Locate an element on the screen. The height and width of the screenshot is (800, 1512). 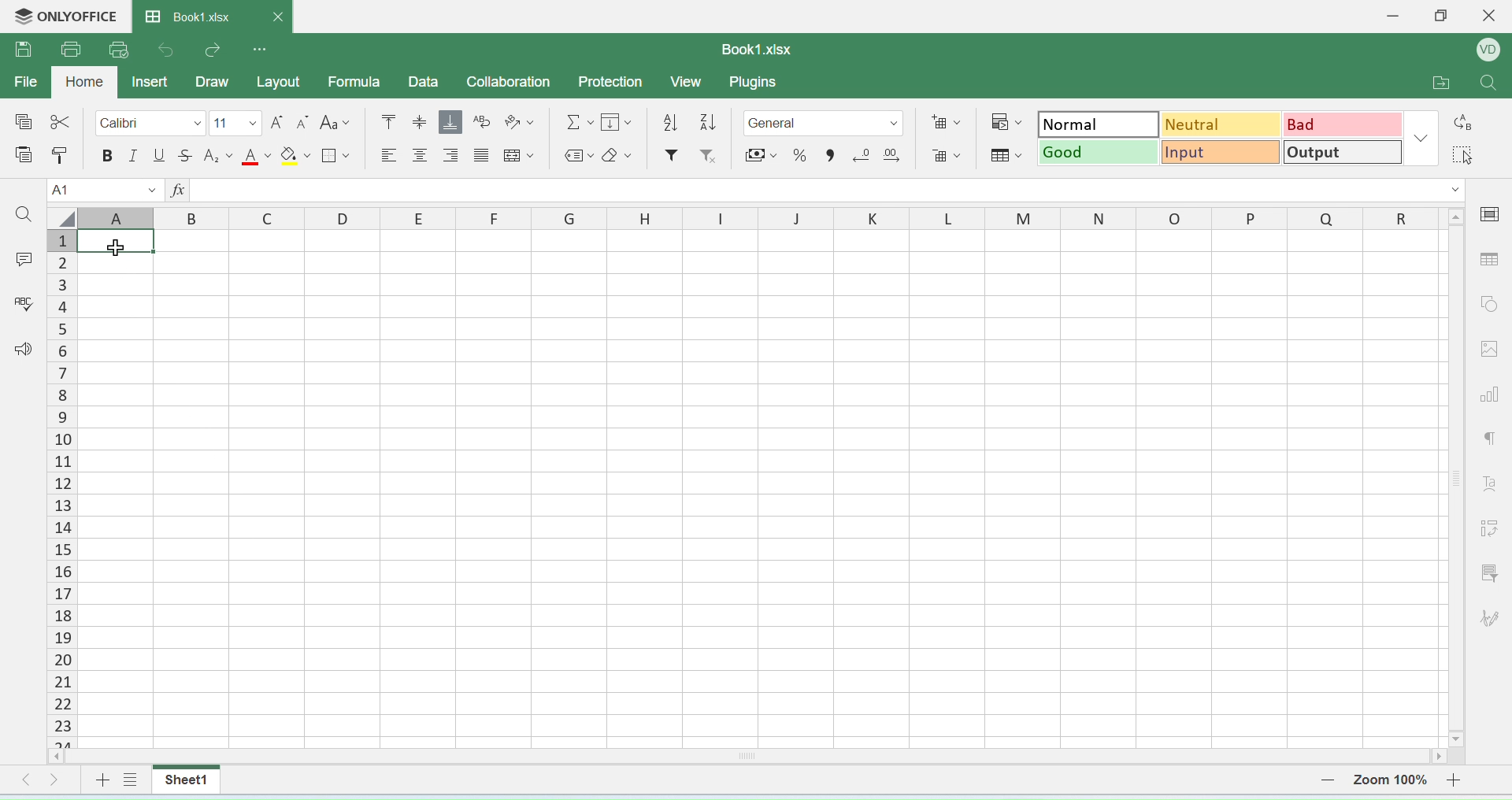
draw is located at coordinates (213, 80).